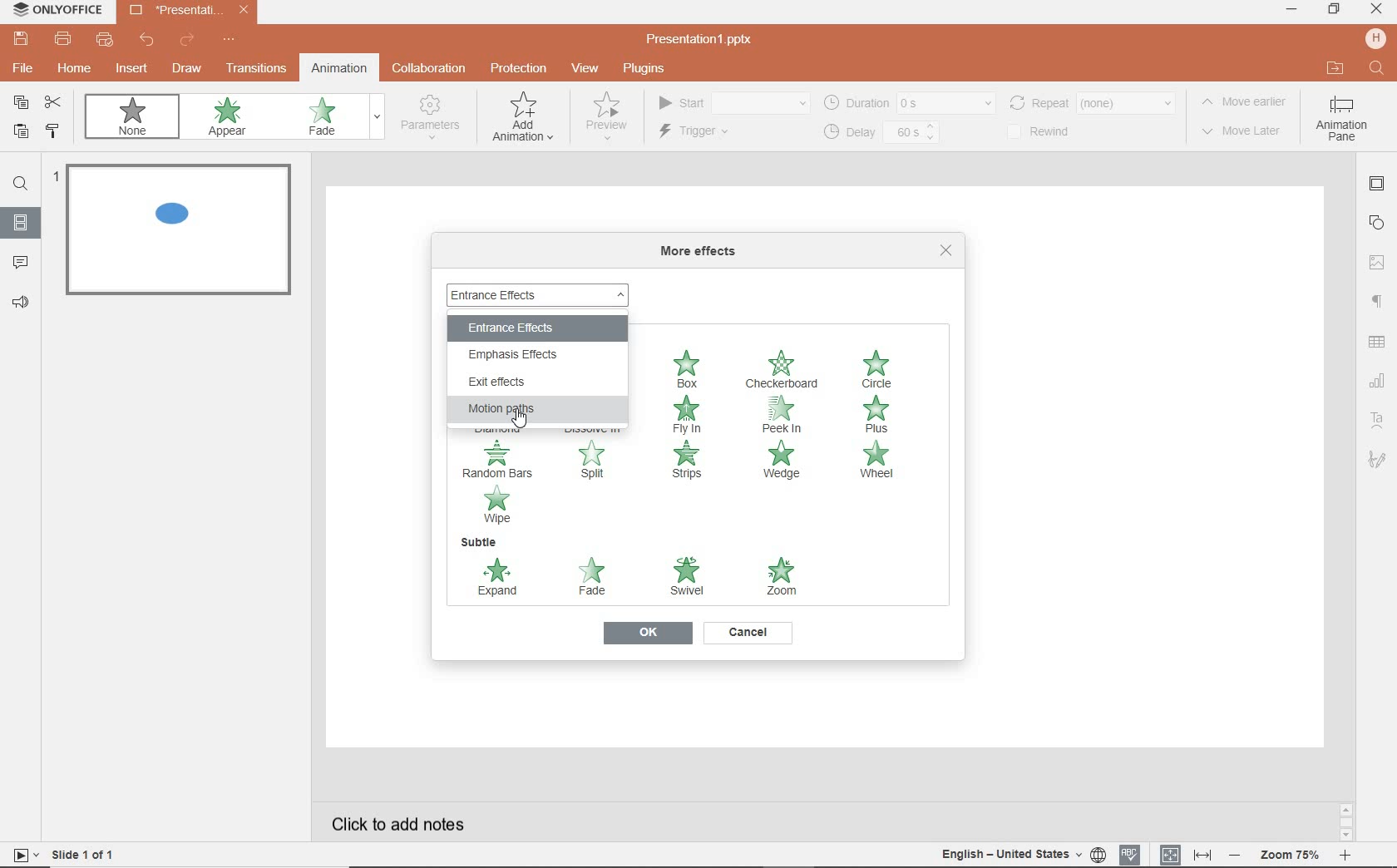 The width and height of the screenshot is (1397, 868). I want to click on slide settings, so click(1379, 186).